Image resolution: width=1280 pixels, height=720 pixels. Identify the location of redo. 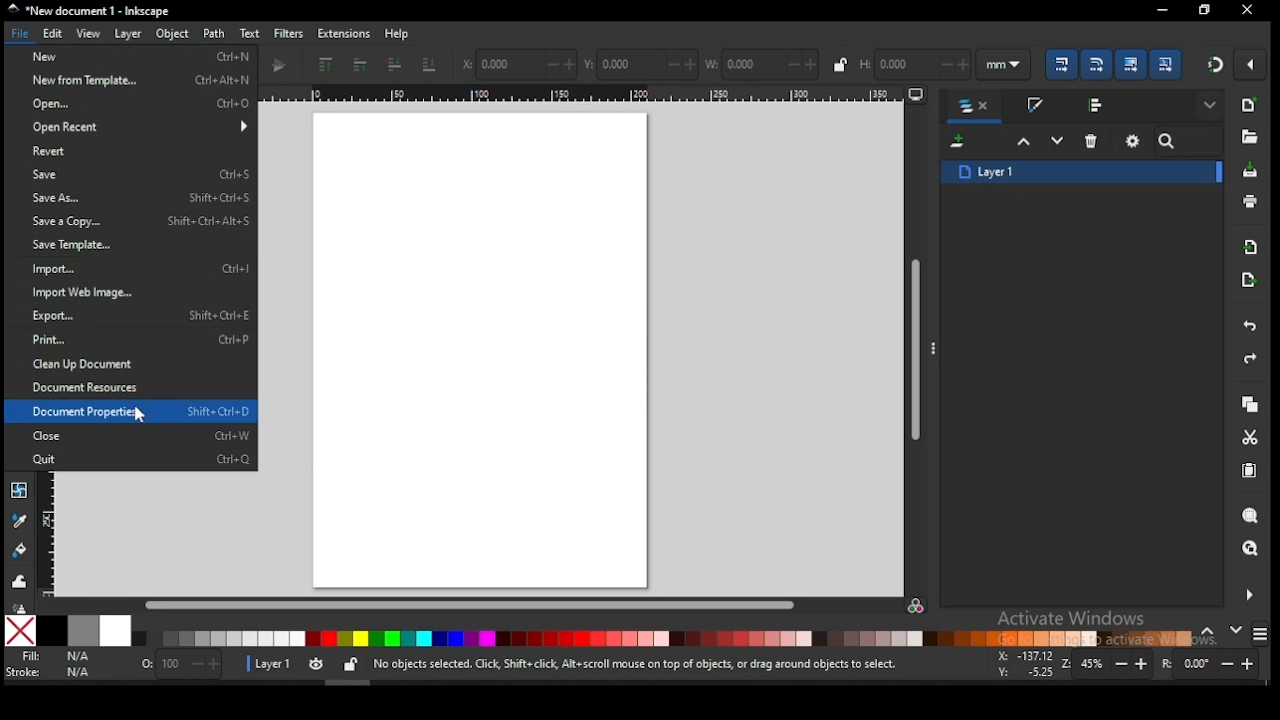
(1248, 360).